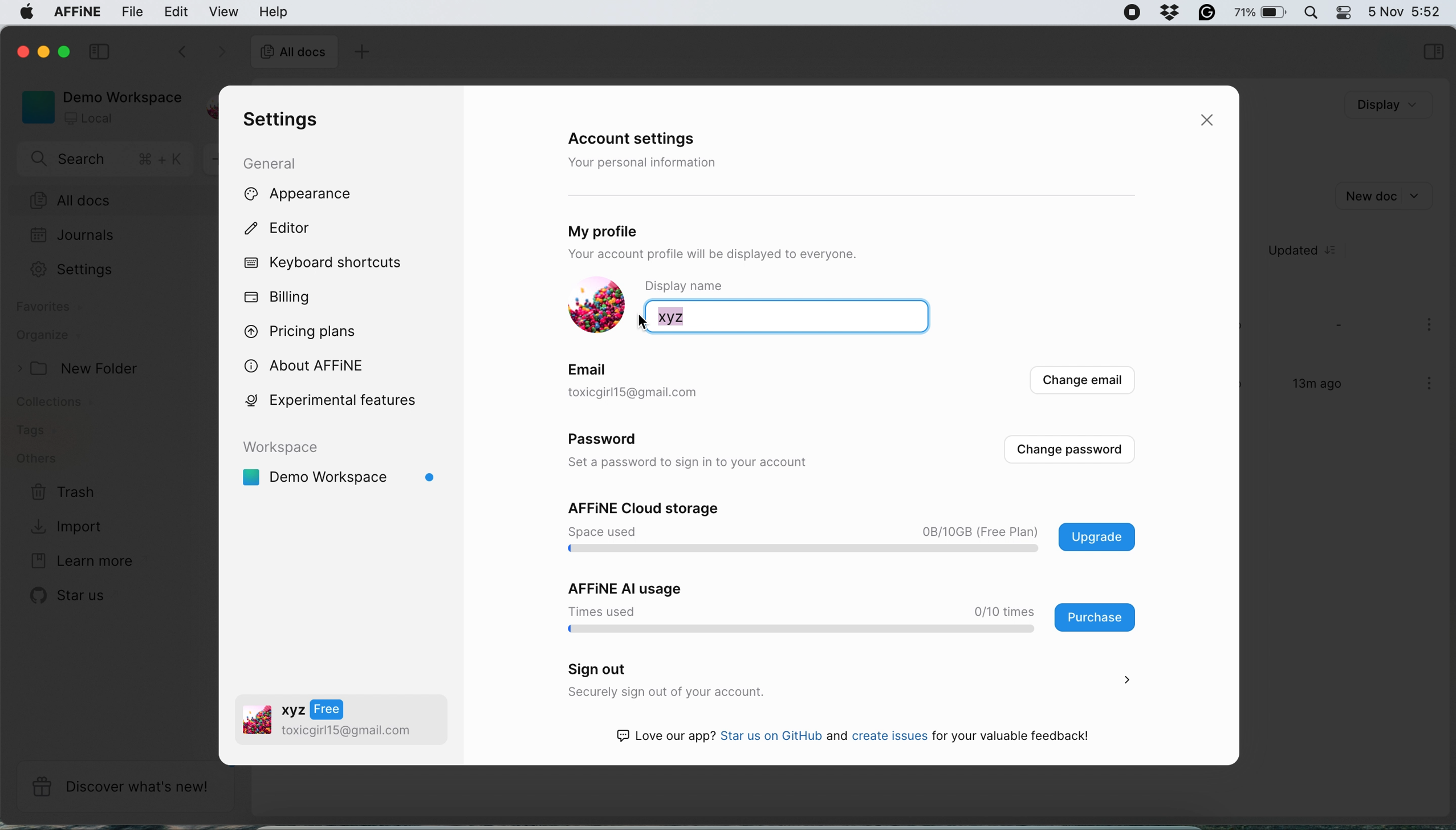 Image resolution: width=1456 pixels, height=830 pixels. I want to click on about affine, so click(311, 364).